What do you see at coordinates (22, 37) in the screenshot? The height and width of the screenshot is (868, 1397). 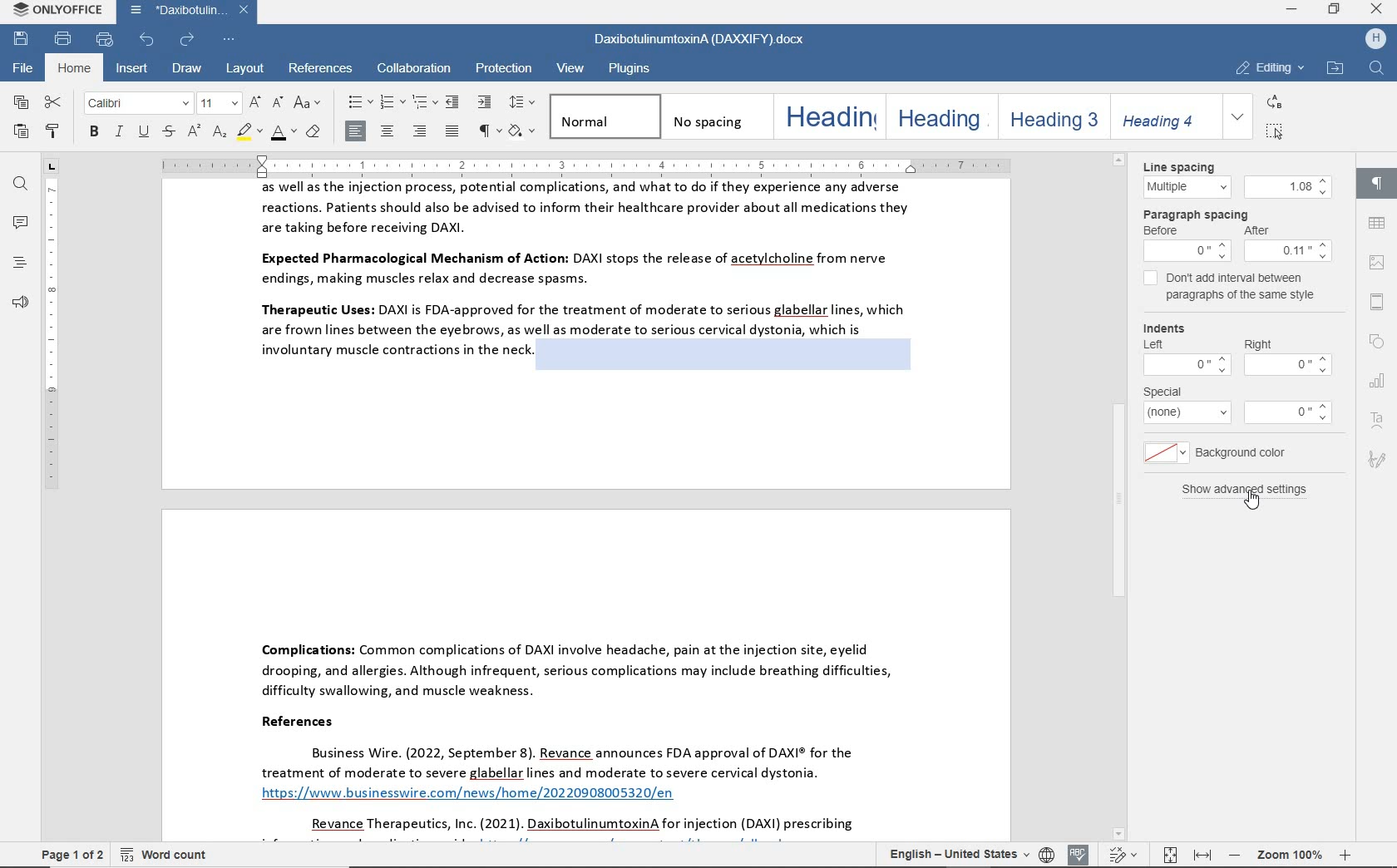 I see `save` at bounding box center [22, 37].